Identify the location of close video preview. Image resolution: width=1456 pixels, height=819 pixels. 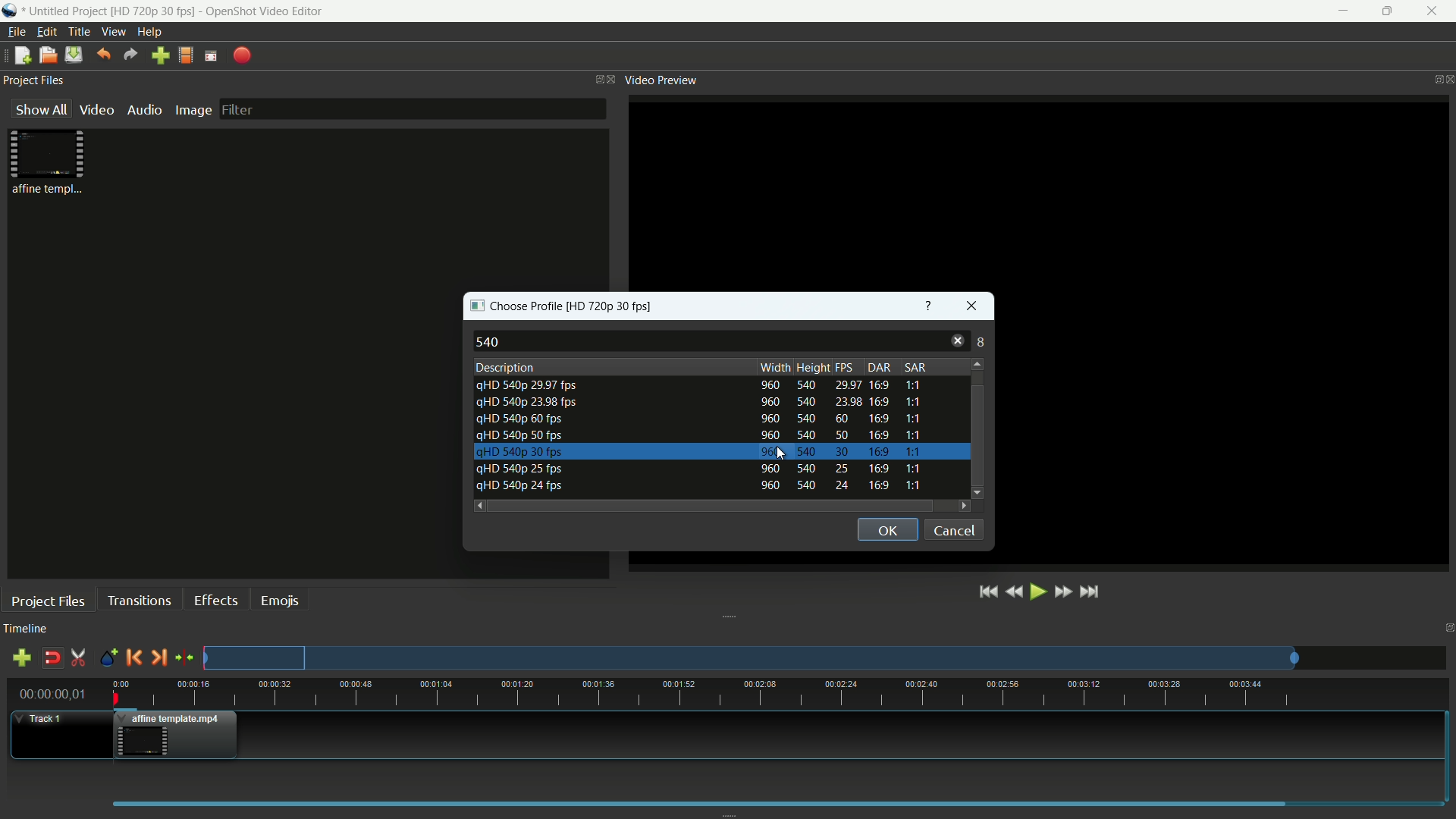
(1447, 78).